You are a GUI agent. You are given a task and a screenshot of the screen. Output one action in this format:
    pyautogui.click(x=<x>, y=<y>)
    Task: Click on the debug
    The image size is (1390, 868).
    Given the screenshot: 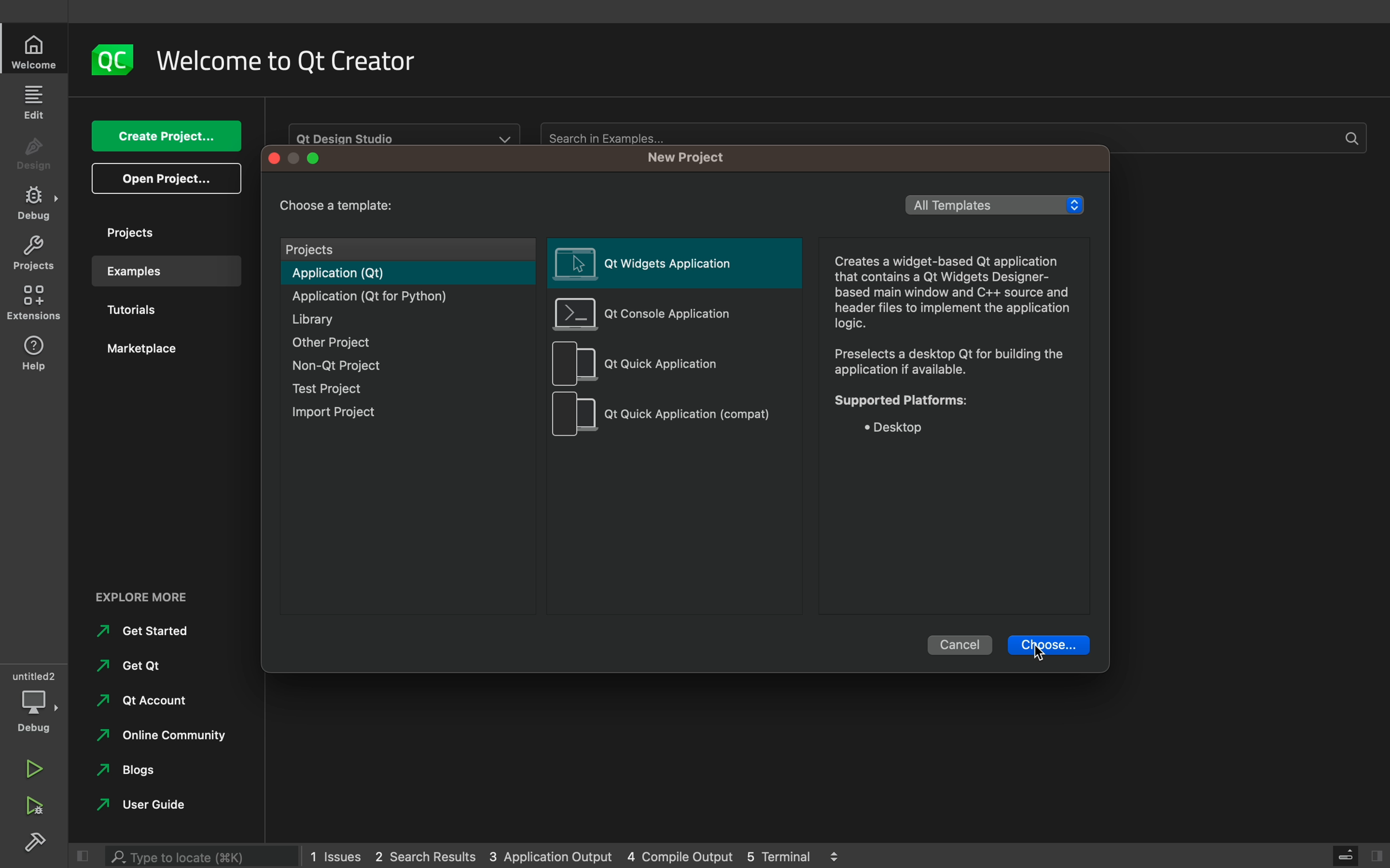 What is the action you would take?
    pyautogui.click(x=34, y=703)
    